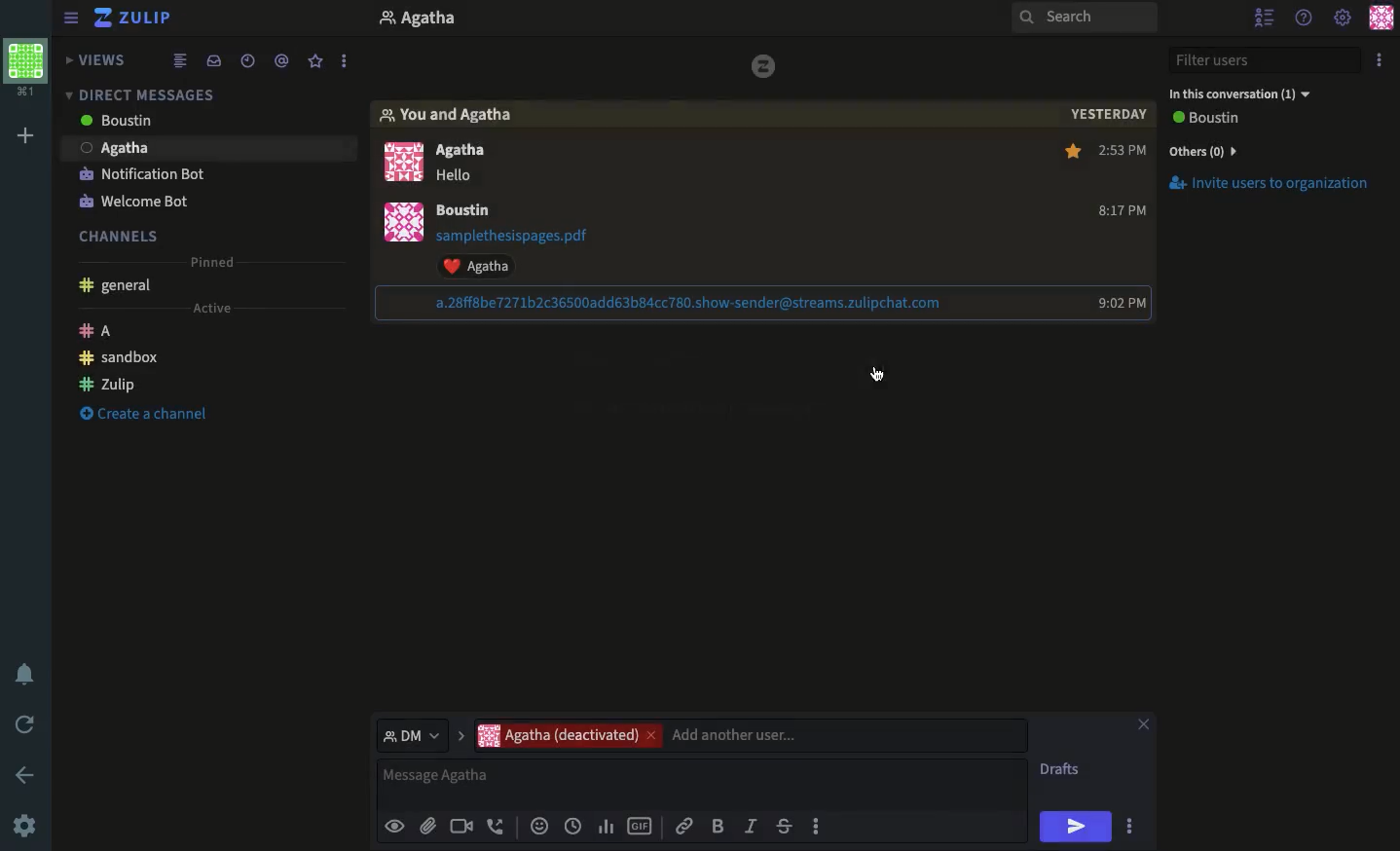 This screenshot has height=851, width=1400. What do you see at coordinates (684, 823) in the screenshot?
I see `Link` at bounding box center [684, 823].